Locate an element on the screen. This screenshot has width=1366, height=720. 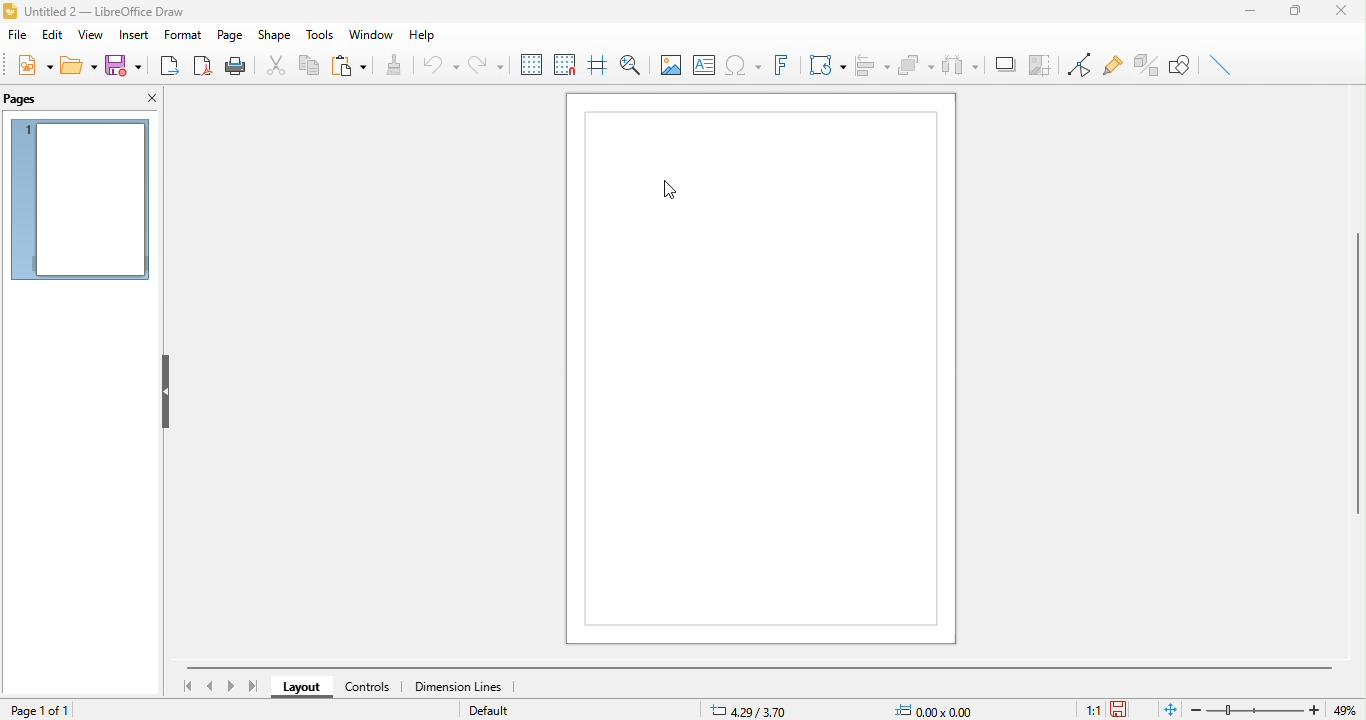
display grids is located at coordinates (526, 65).